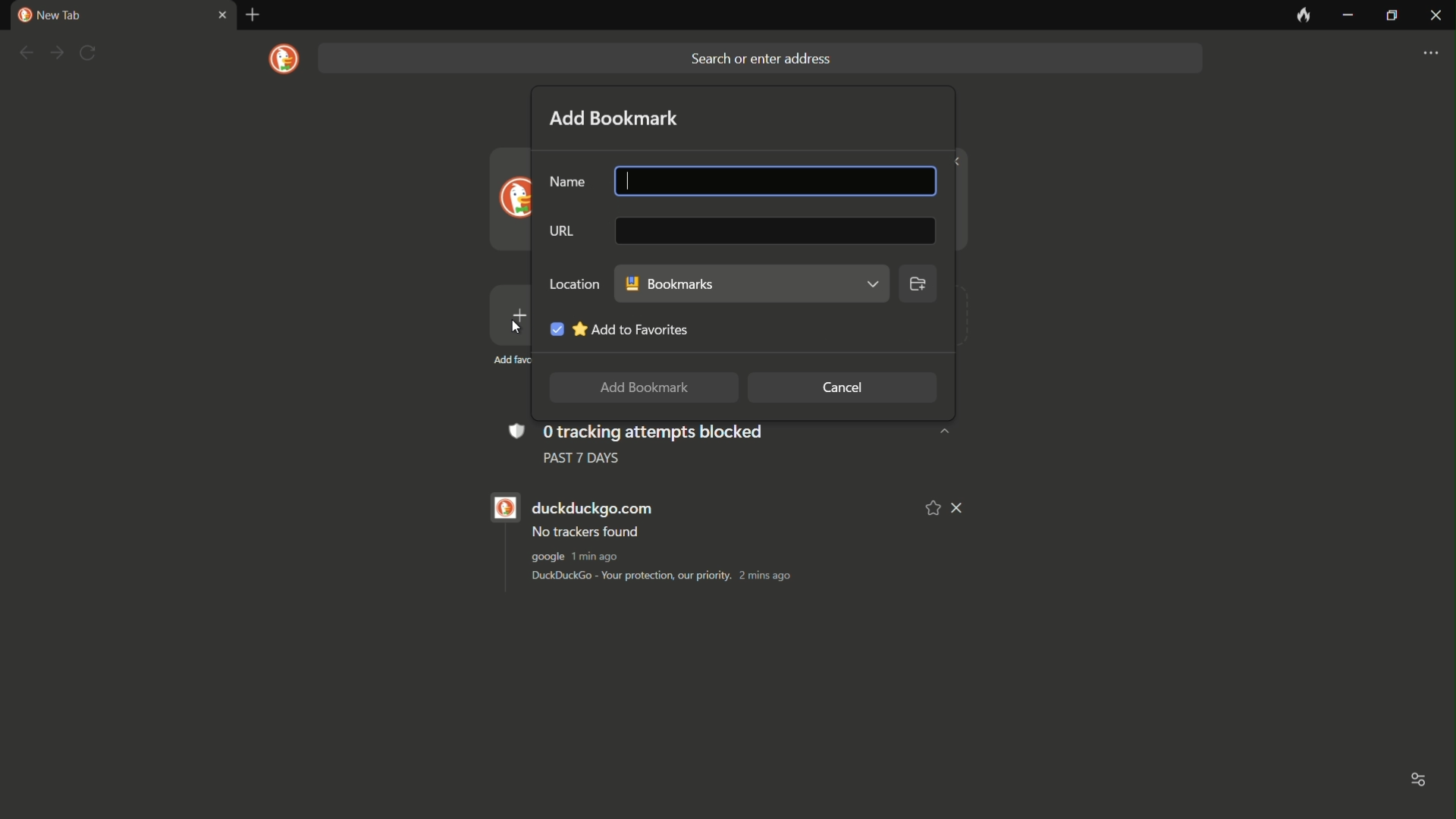 The image size is (1456, 819). What do you see at coordinates (573, 283) in the screenshot?
I see `LOCATION` at bounding box center [573, 283].